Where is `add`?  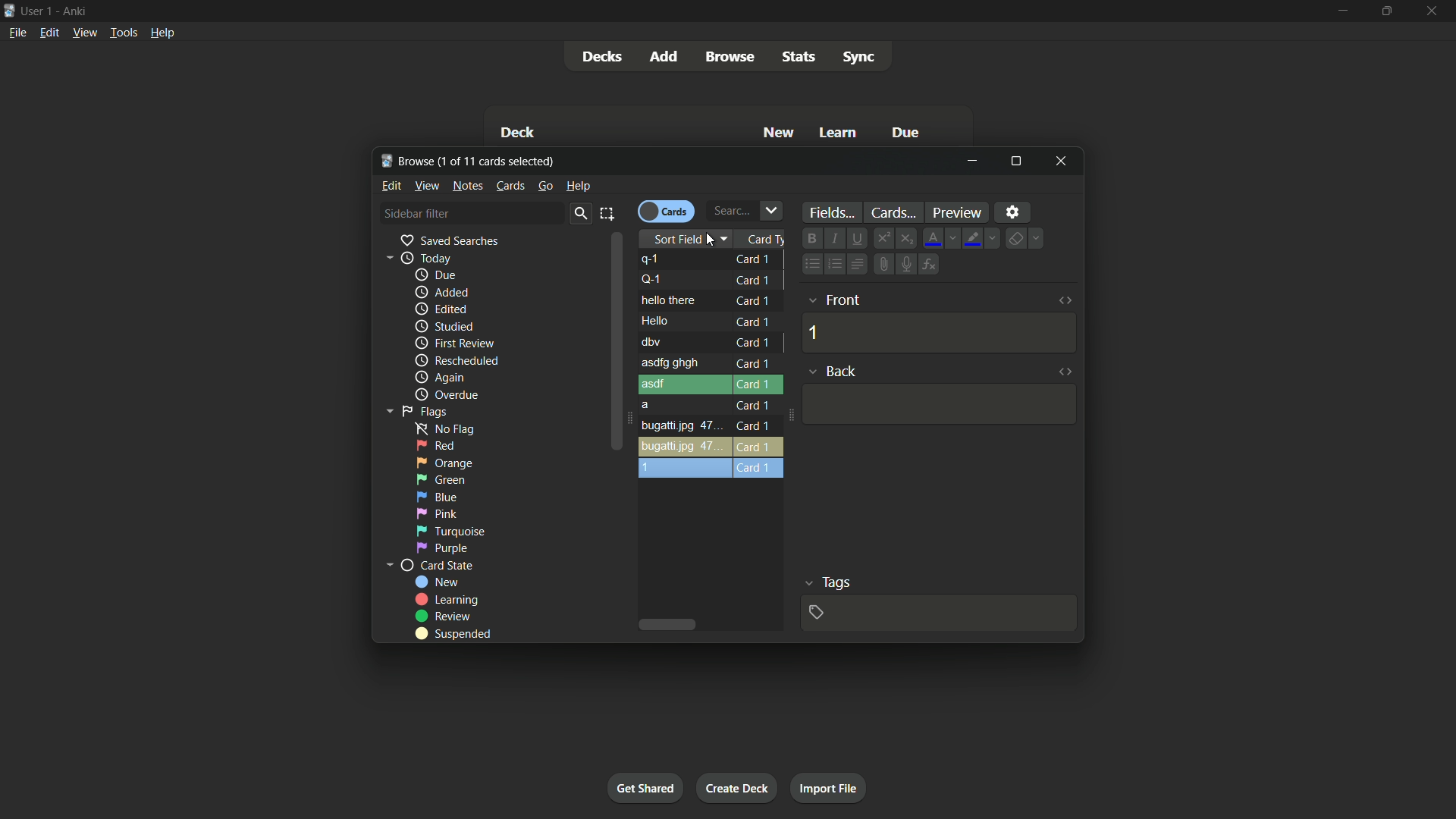
add is located at coordinates (663, 56).